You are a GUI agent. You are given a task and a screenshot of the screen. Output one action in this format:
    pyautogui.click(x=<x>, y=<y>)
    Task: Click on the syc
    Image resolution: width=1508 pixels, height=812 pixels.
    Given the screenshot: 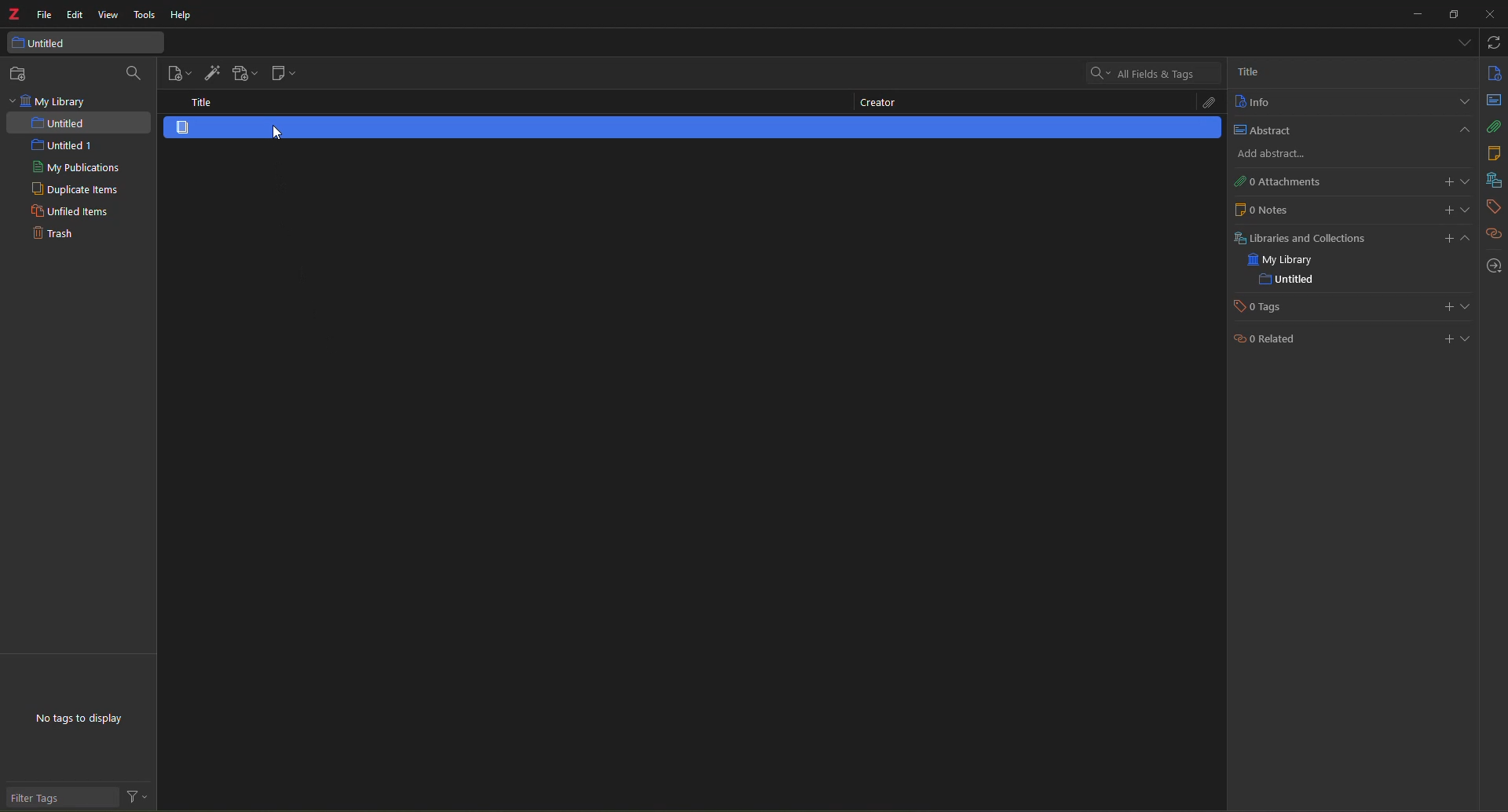 What is the action you would take?
    pyautogui.click(x=1493, y=42)
    